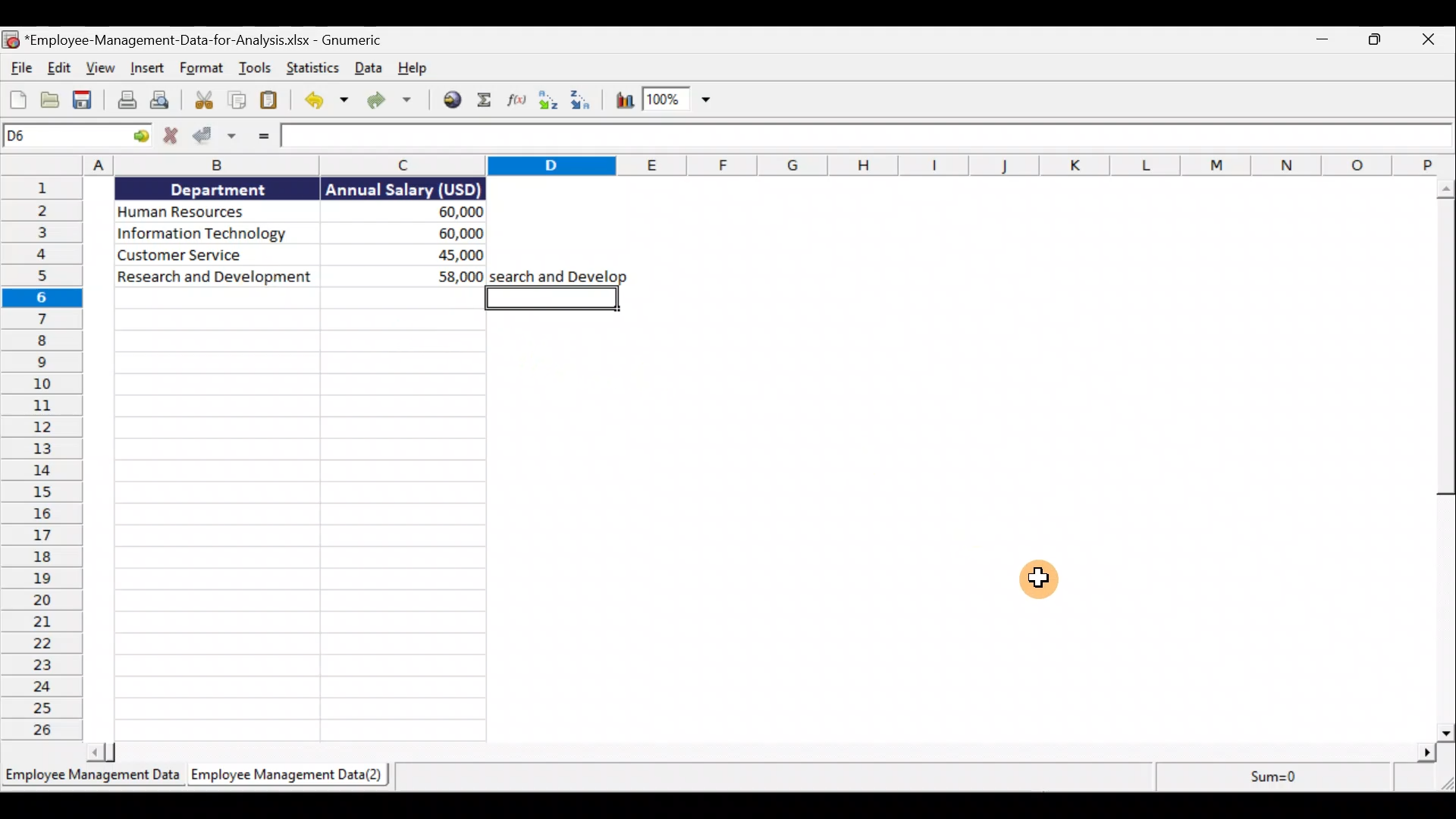 Image resolution: width=1456 pixels, height=819 pixels. Describe the element at coordinates (124, 101) in the screenshot. I see `Print the current file` at that location.